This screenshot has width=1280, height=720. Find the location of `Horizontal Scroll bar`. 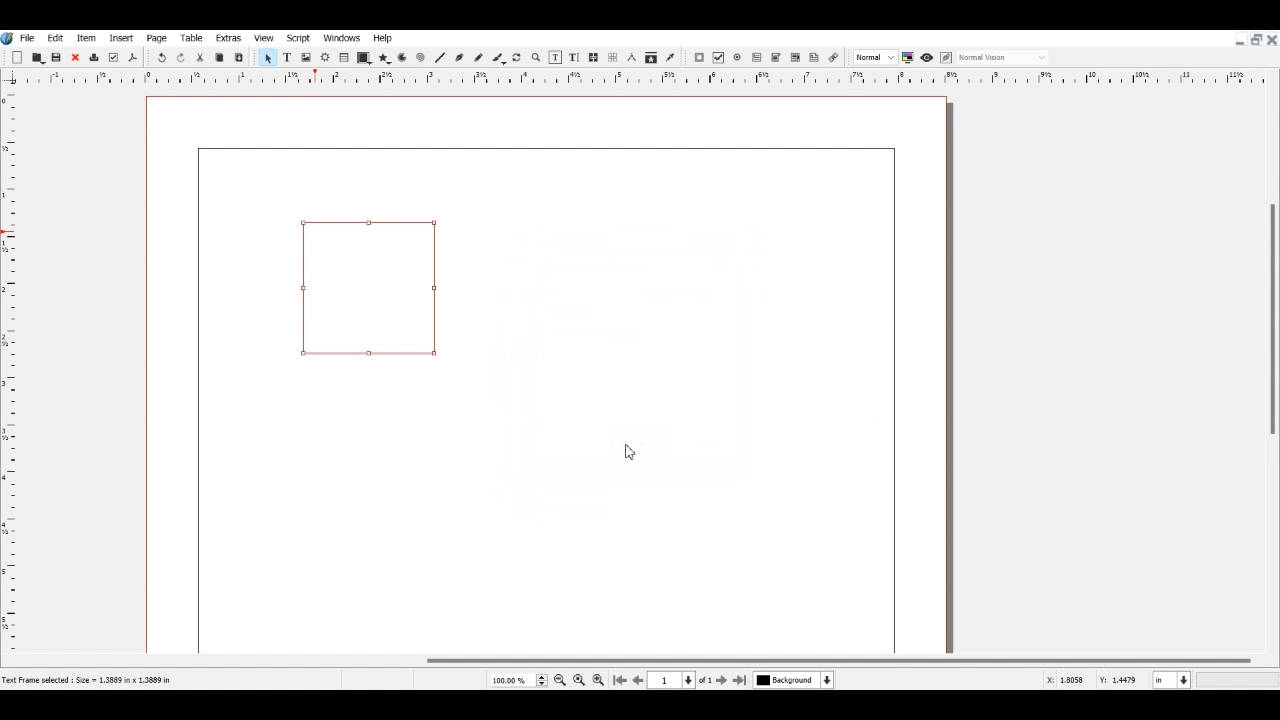

Horizontal Scroll bar is located at coordinates (640, 661).